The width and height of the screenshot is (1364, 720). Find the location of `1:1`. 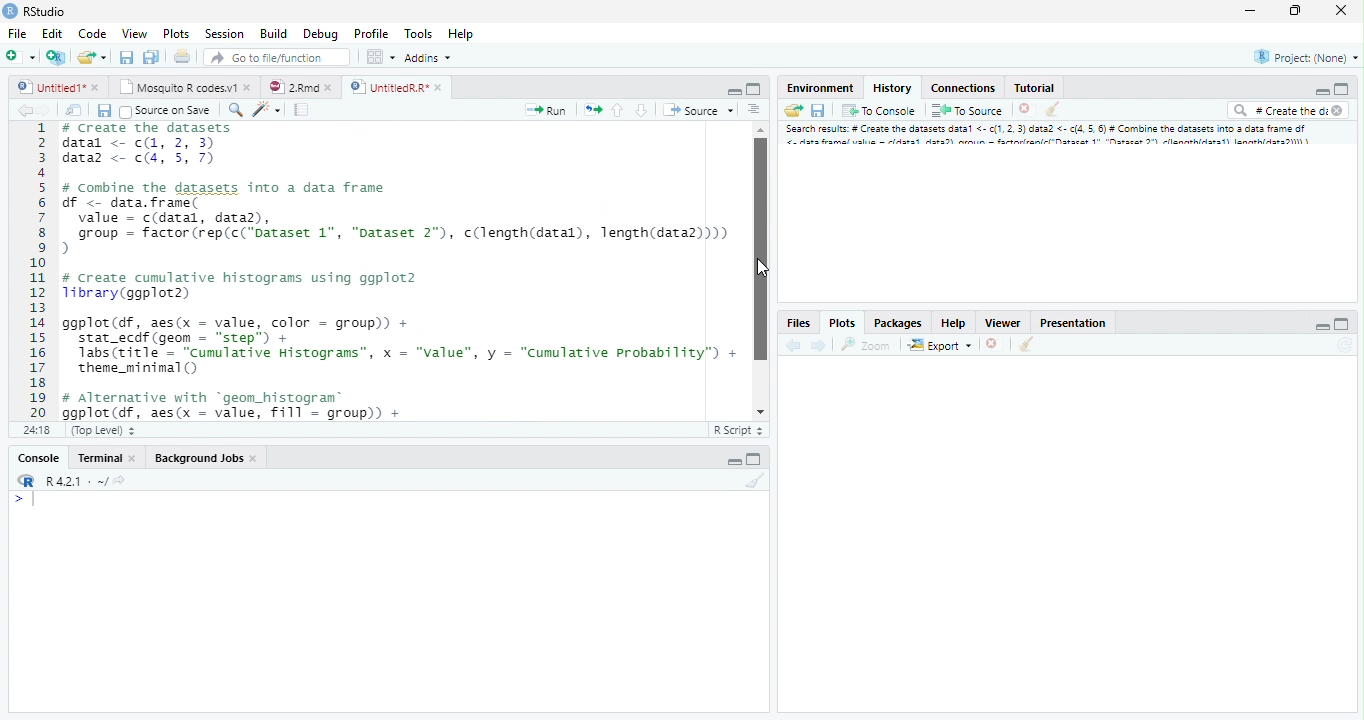

1:1 is located at coordinates (41, 428).